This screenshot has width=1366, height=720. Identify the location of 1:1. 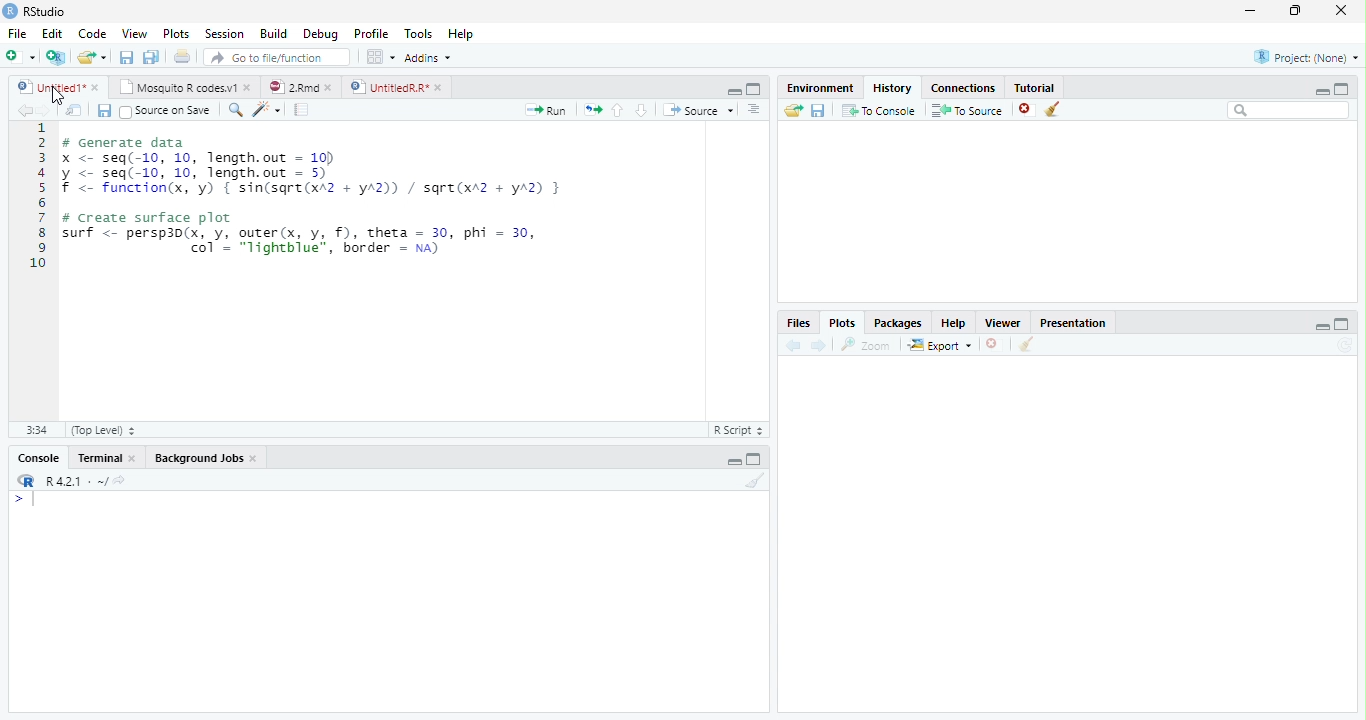
(37, 430).